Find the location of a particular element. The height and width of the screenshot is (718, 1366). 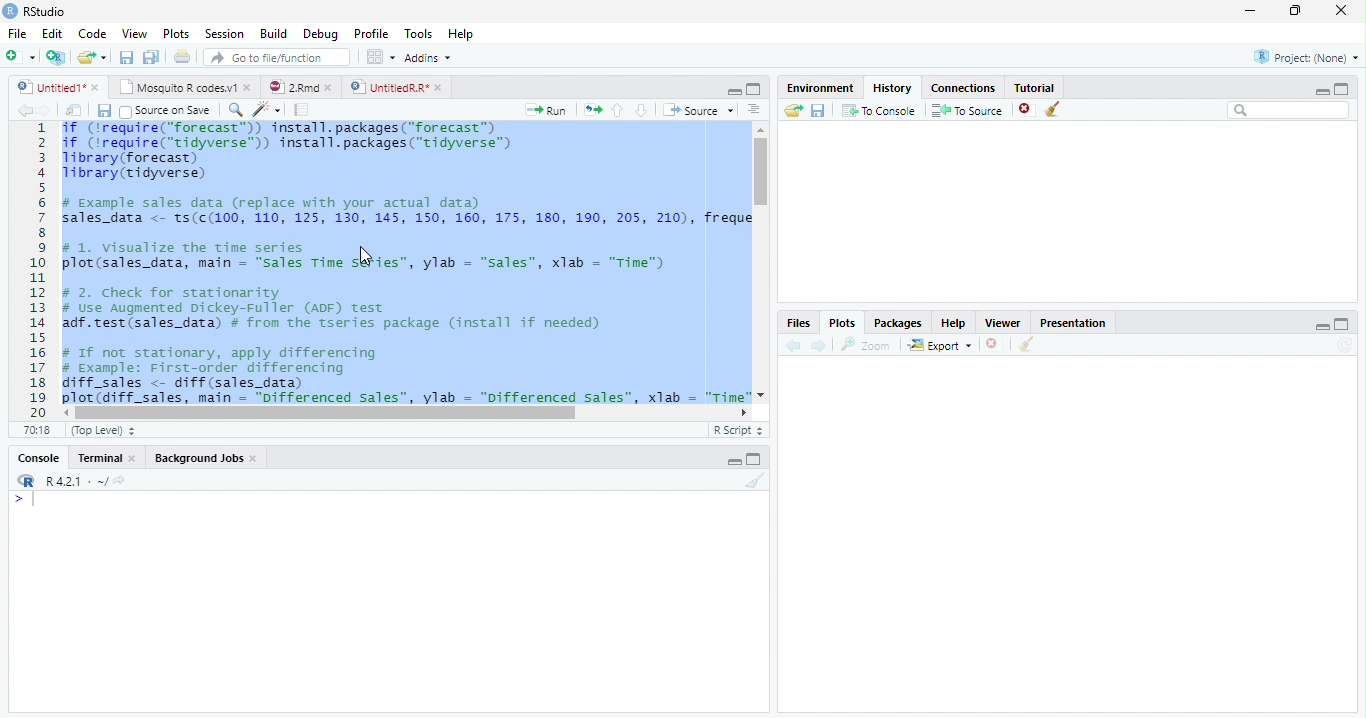

Plots is located at coordinates (175, 32).